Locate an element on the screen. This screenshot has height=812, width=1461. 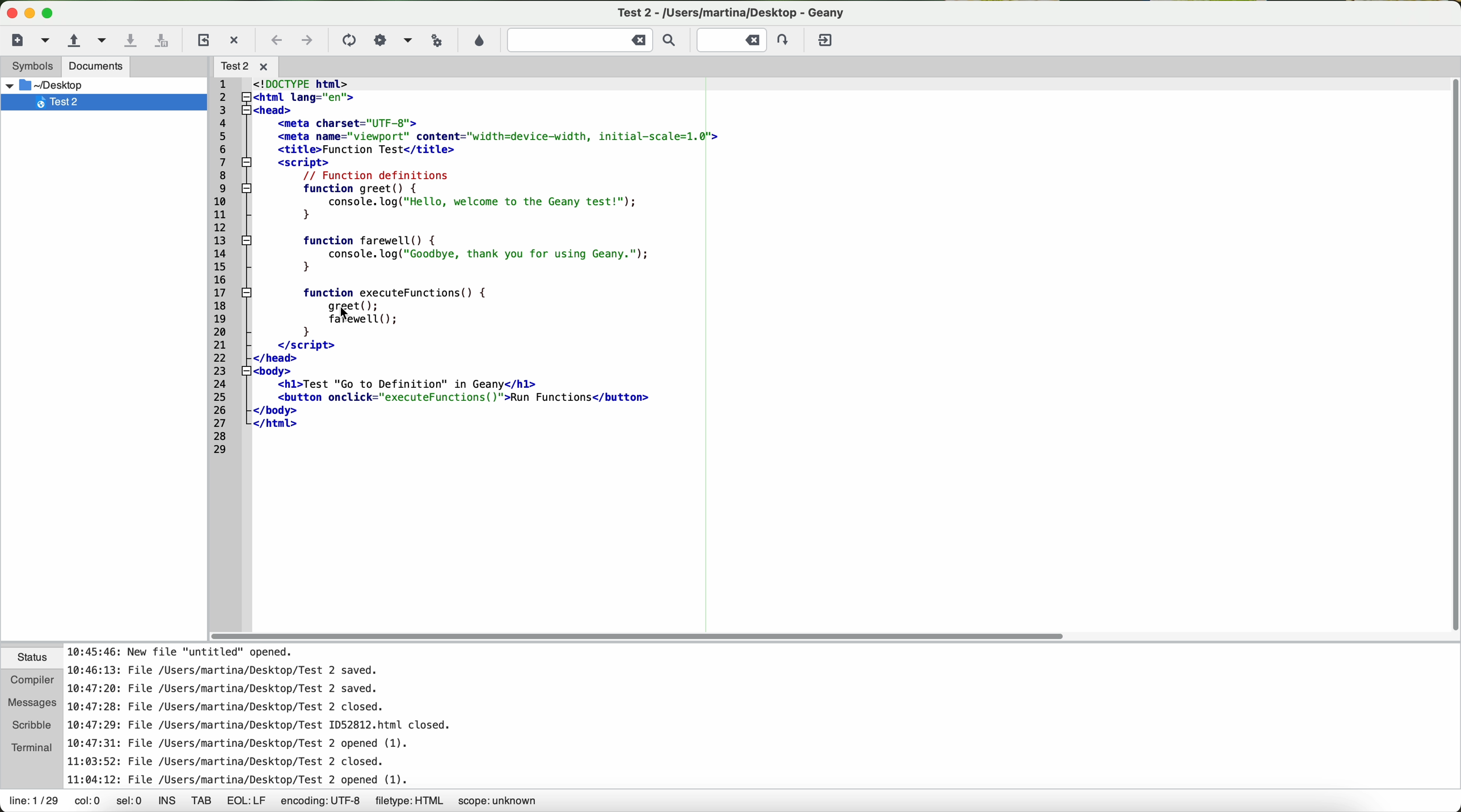
code block is located at coordinates (469, 268).